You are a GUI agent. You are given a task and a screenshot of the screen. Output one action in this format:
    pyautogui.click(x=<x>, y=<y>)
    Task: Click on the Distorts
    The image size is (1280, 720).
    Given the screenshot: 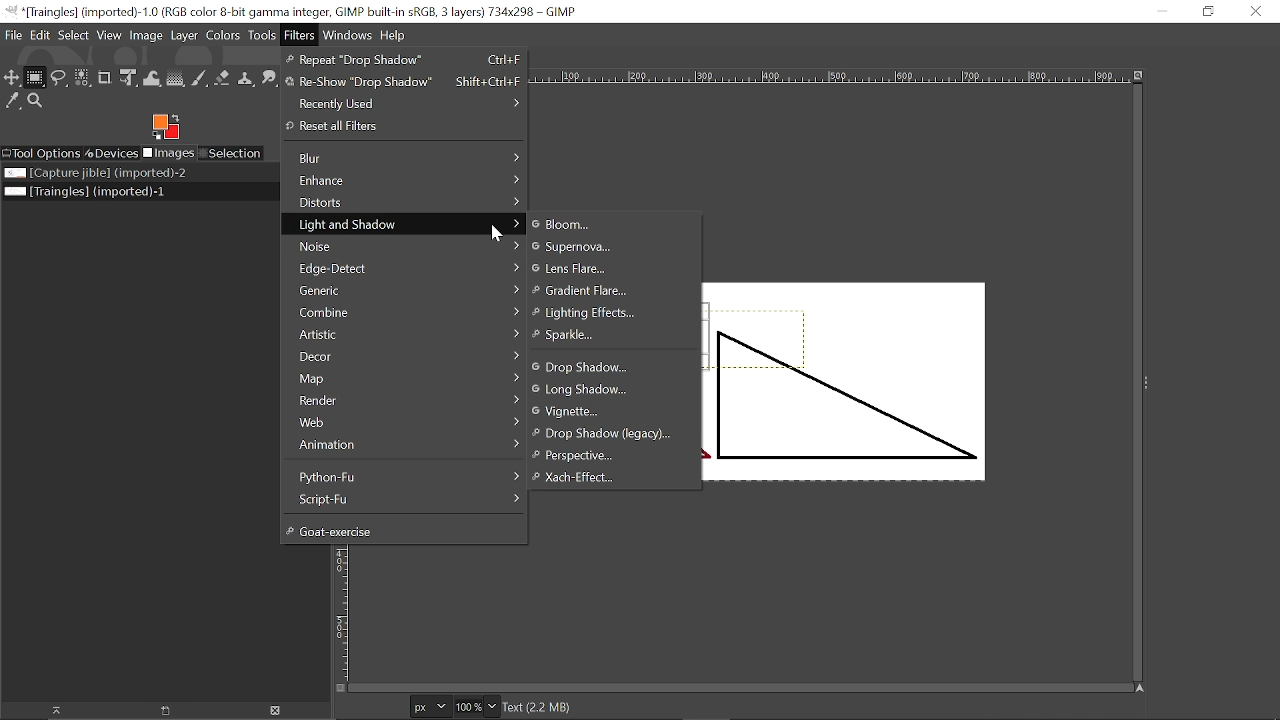 What is the action you would take?
    pyautogui.click(x=410, y=202)
    